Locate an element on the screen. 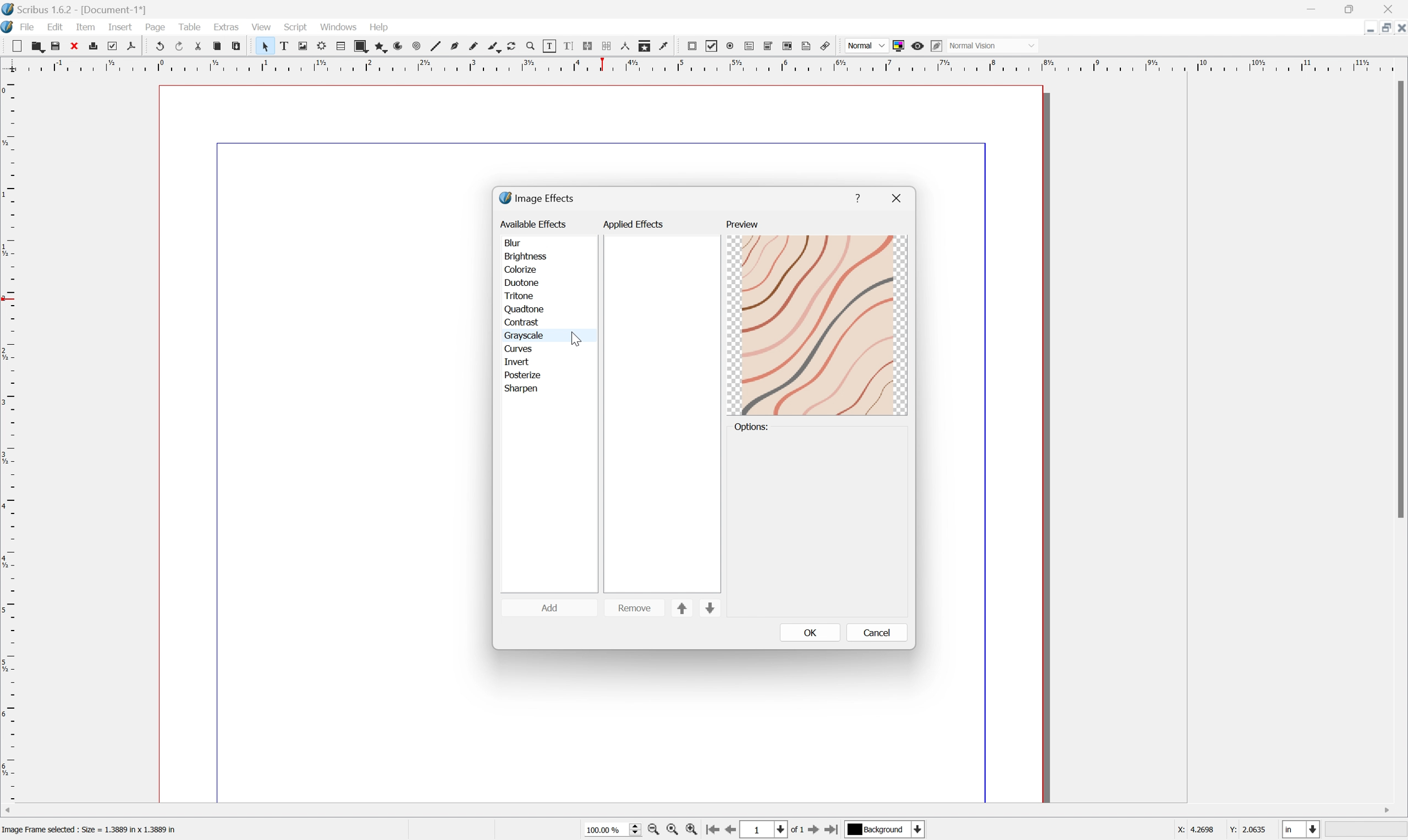 The height and width of the screenshot is (840, 1408). Page is located at coordinates (154, 27).